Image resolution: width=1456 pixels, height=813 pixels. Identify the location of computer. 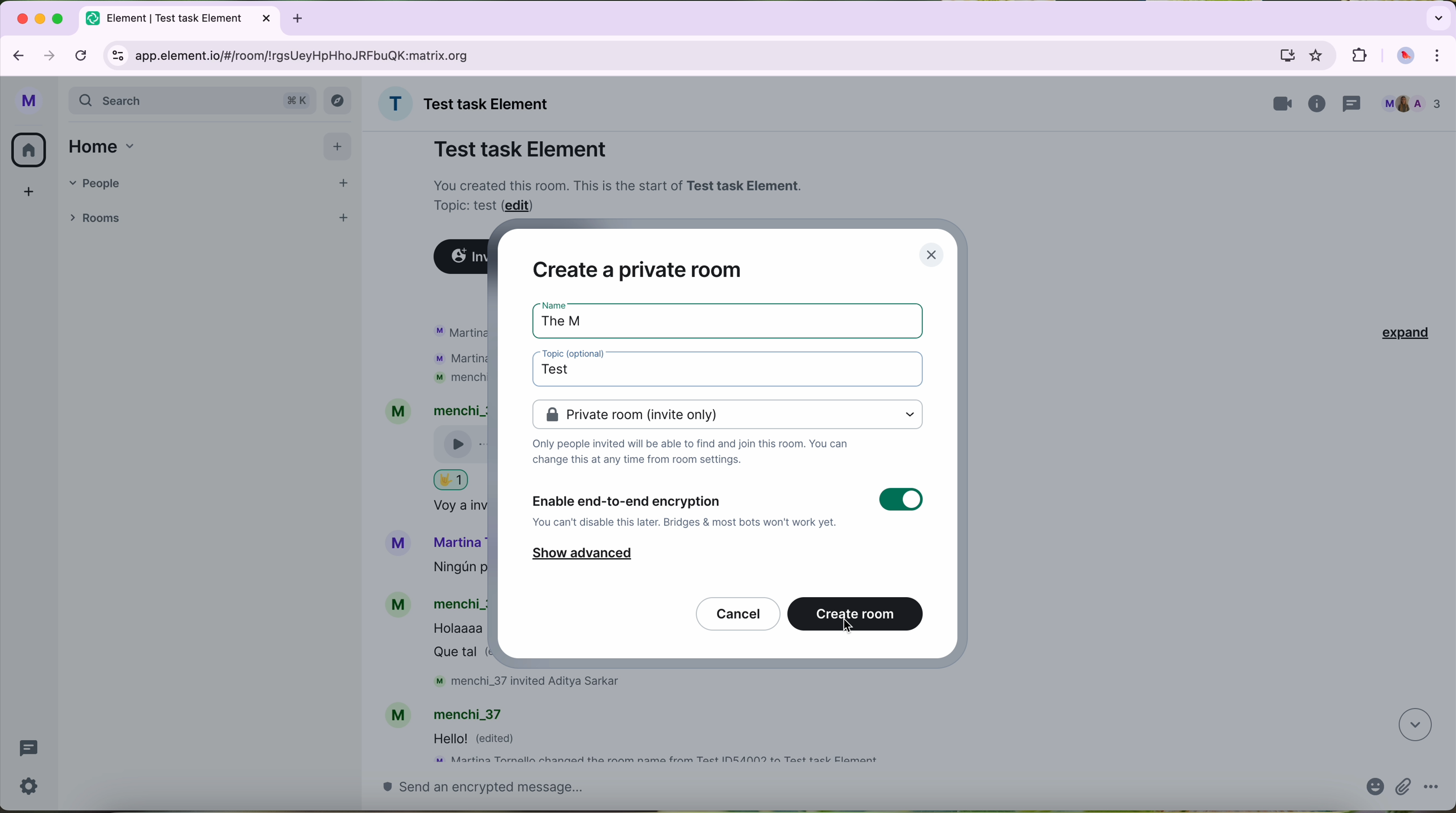
(1286, 55).